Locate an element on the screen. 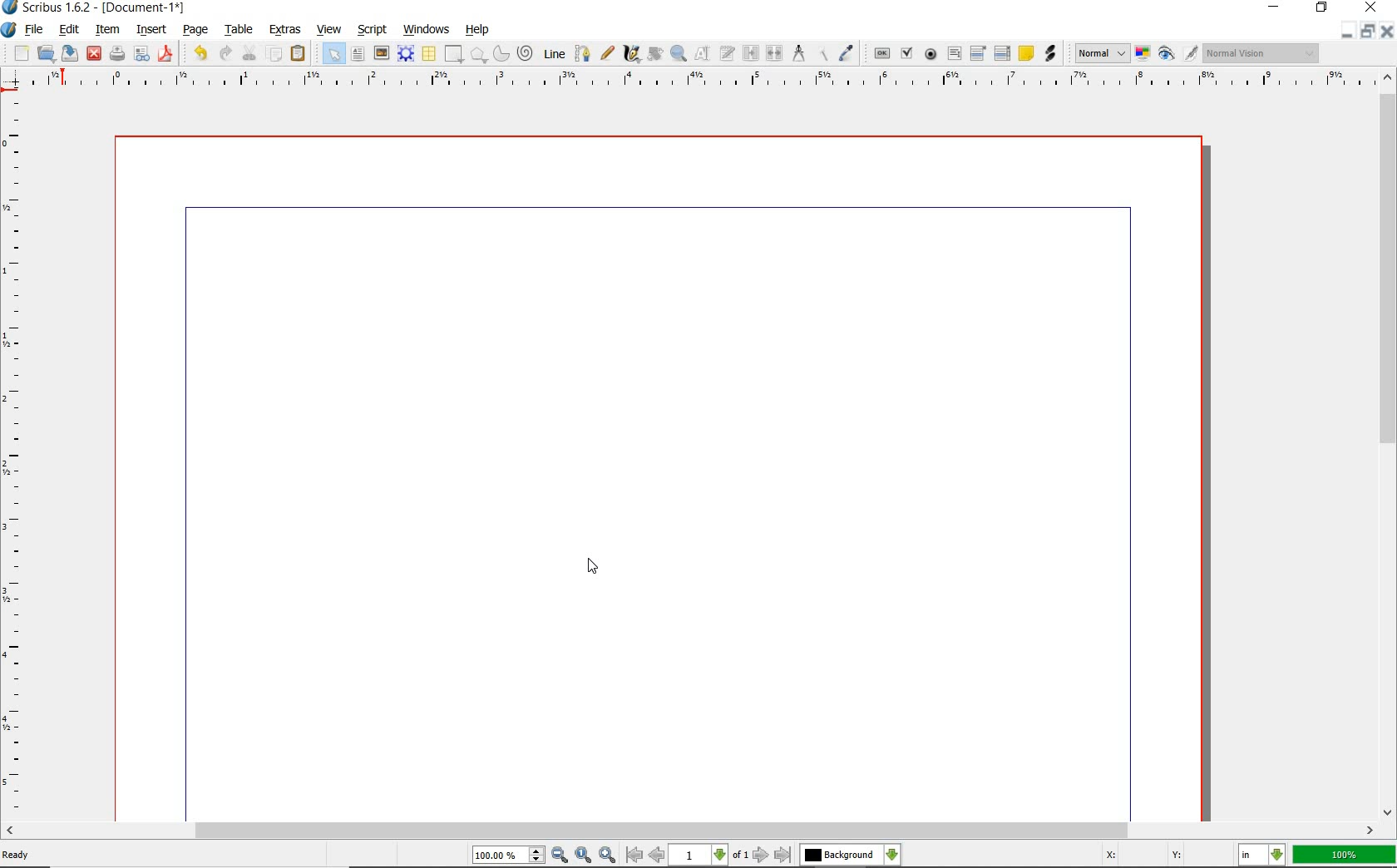 The width and height of the screenshot is (1397, 868). save is located at coordinates (168, 52).